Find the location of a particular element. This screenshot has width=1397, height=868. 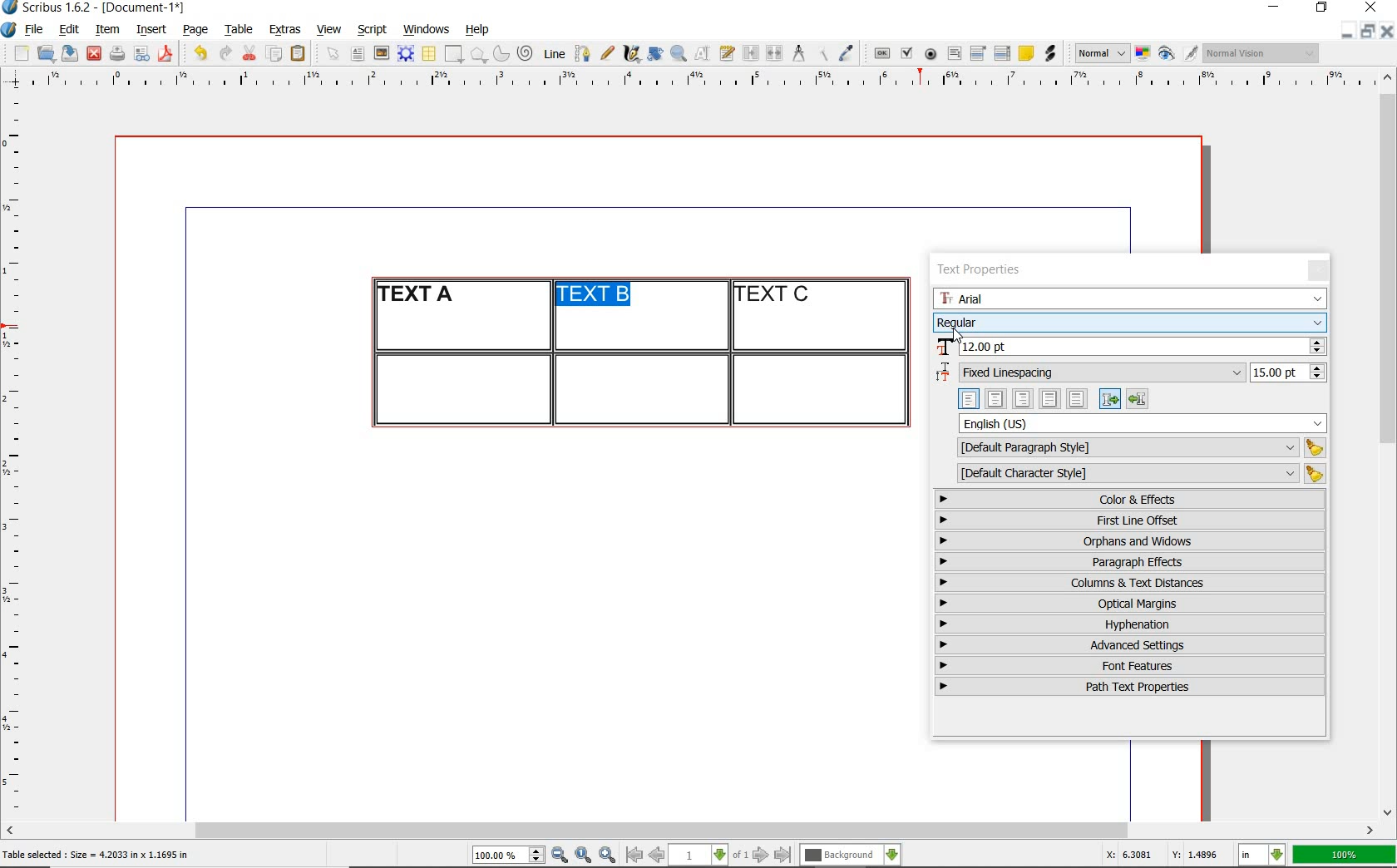

restore is located at coordinates (1322, 8).